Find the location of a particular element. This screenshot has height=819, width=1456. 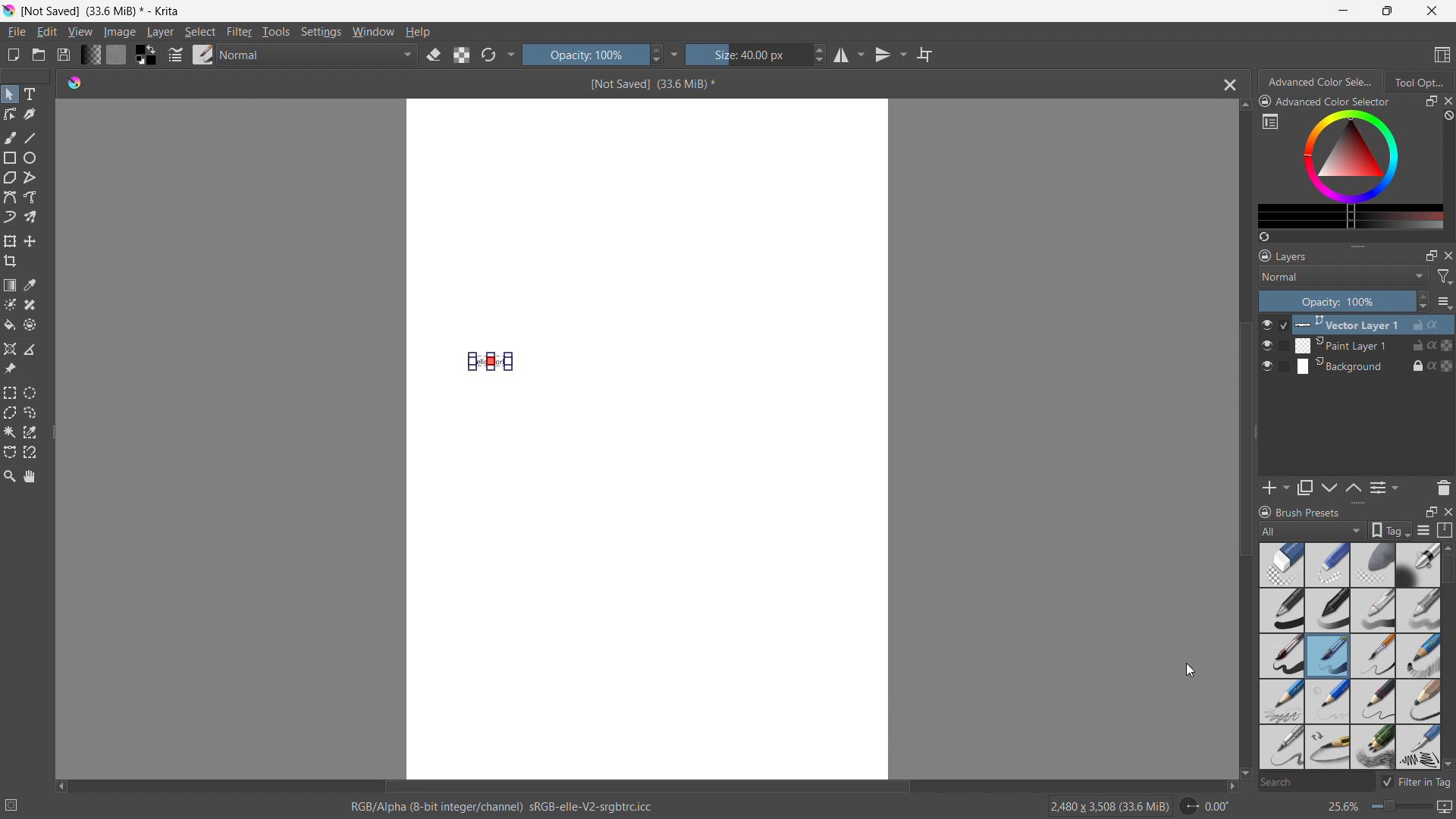

display settings is located at coordinates (1423, 530).